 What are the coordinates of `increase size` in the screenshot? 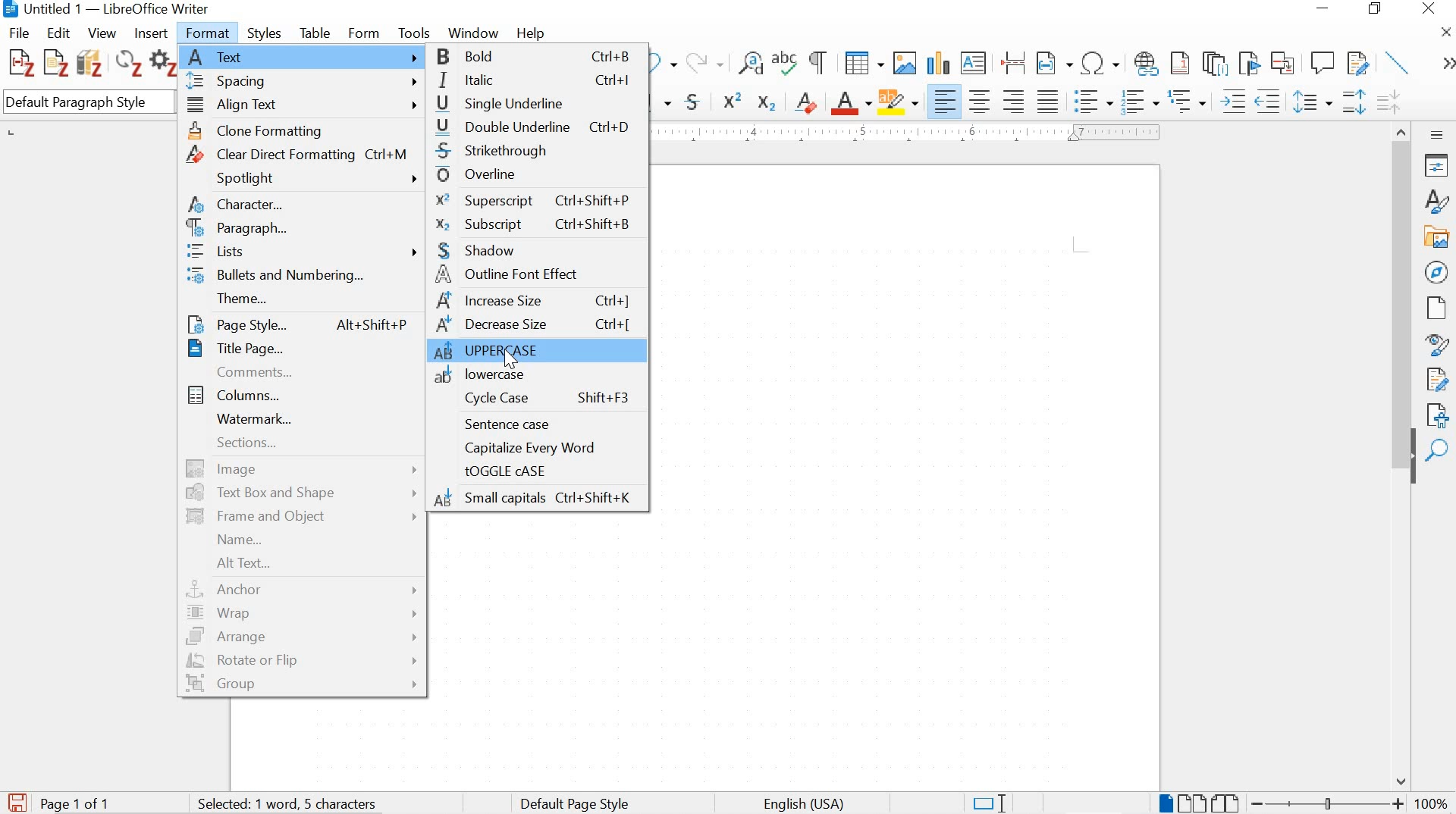 It's located at (535, 301).